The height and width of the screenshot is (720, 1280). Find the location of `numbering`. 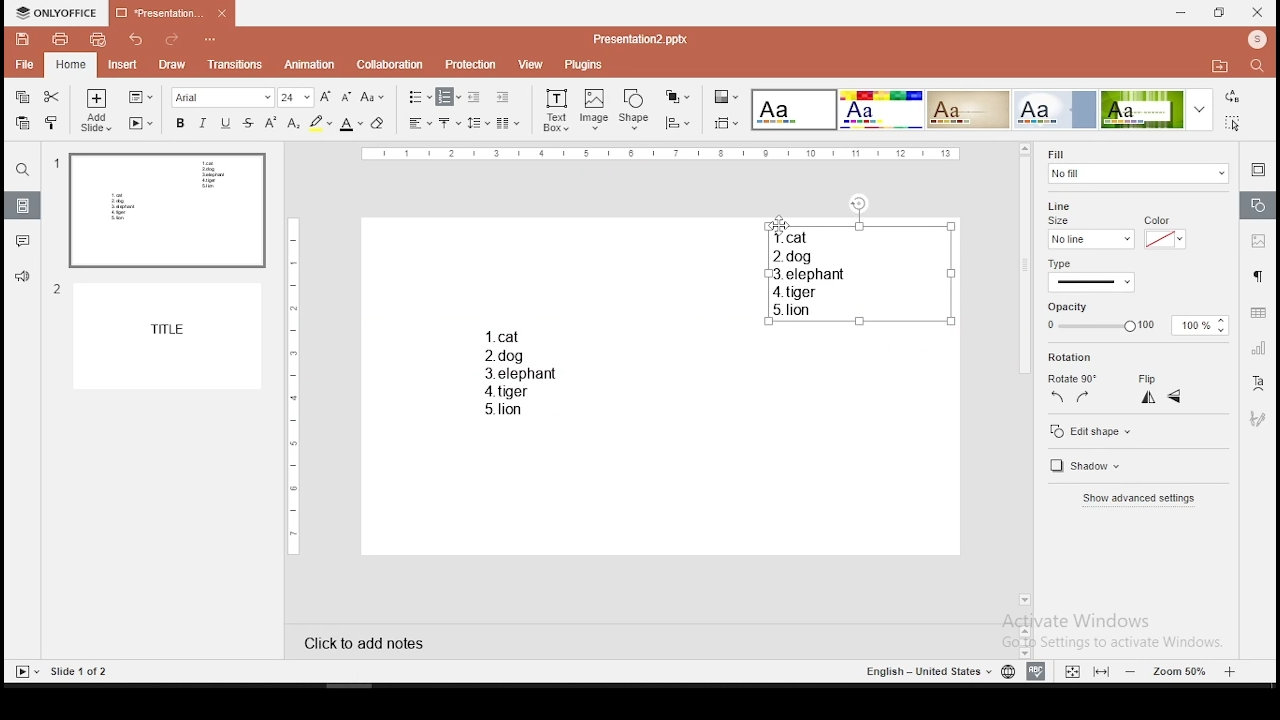

numbering is located at coordinates (449, 97).